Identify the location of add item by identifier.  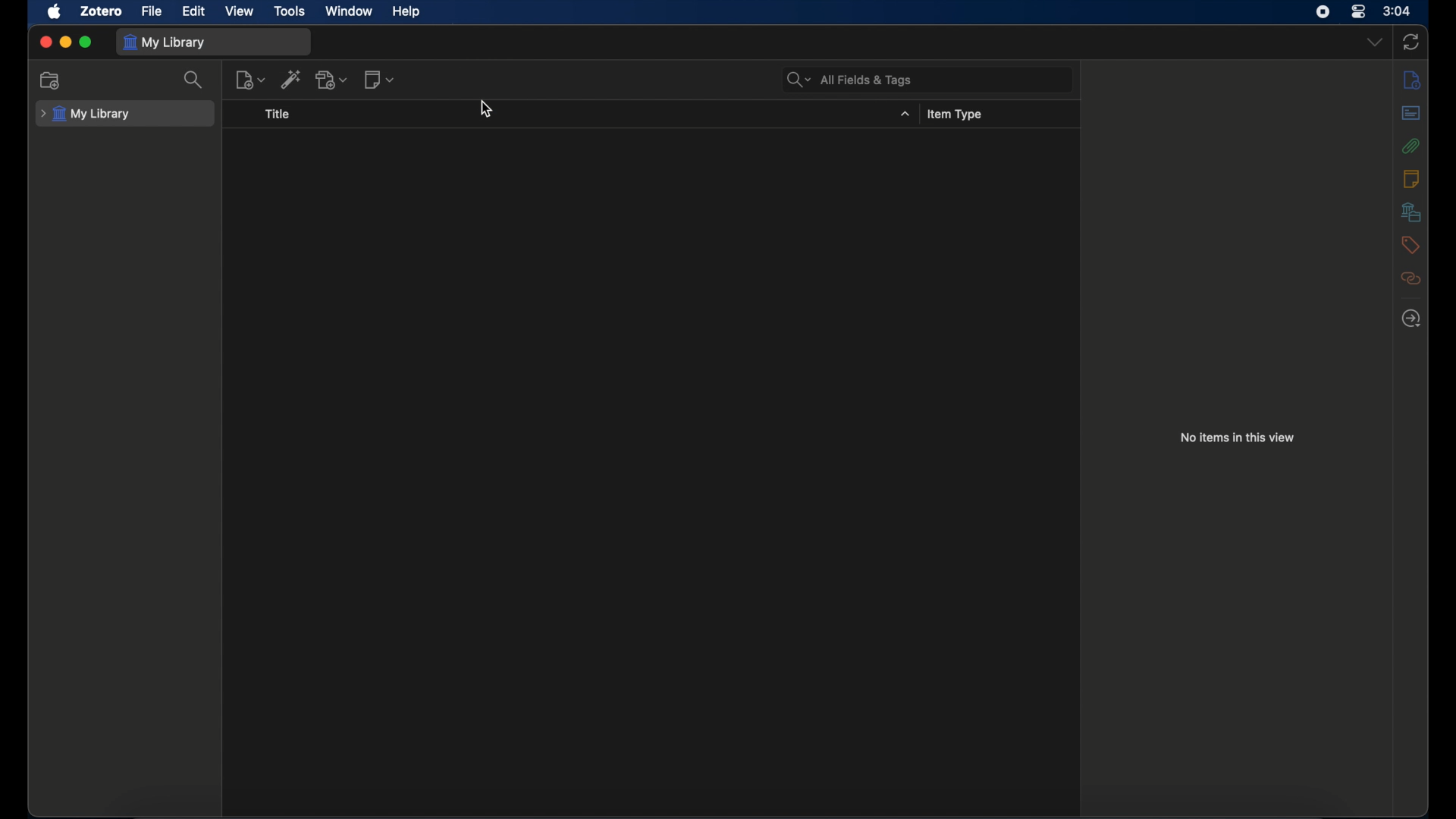
(292, 80).